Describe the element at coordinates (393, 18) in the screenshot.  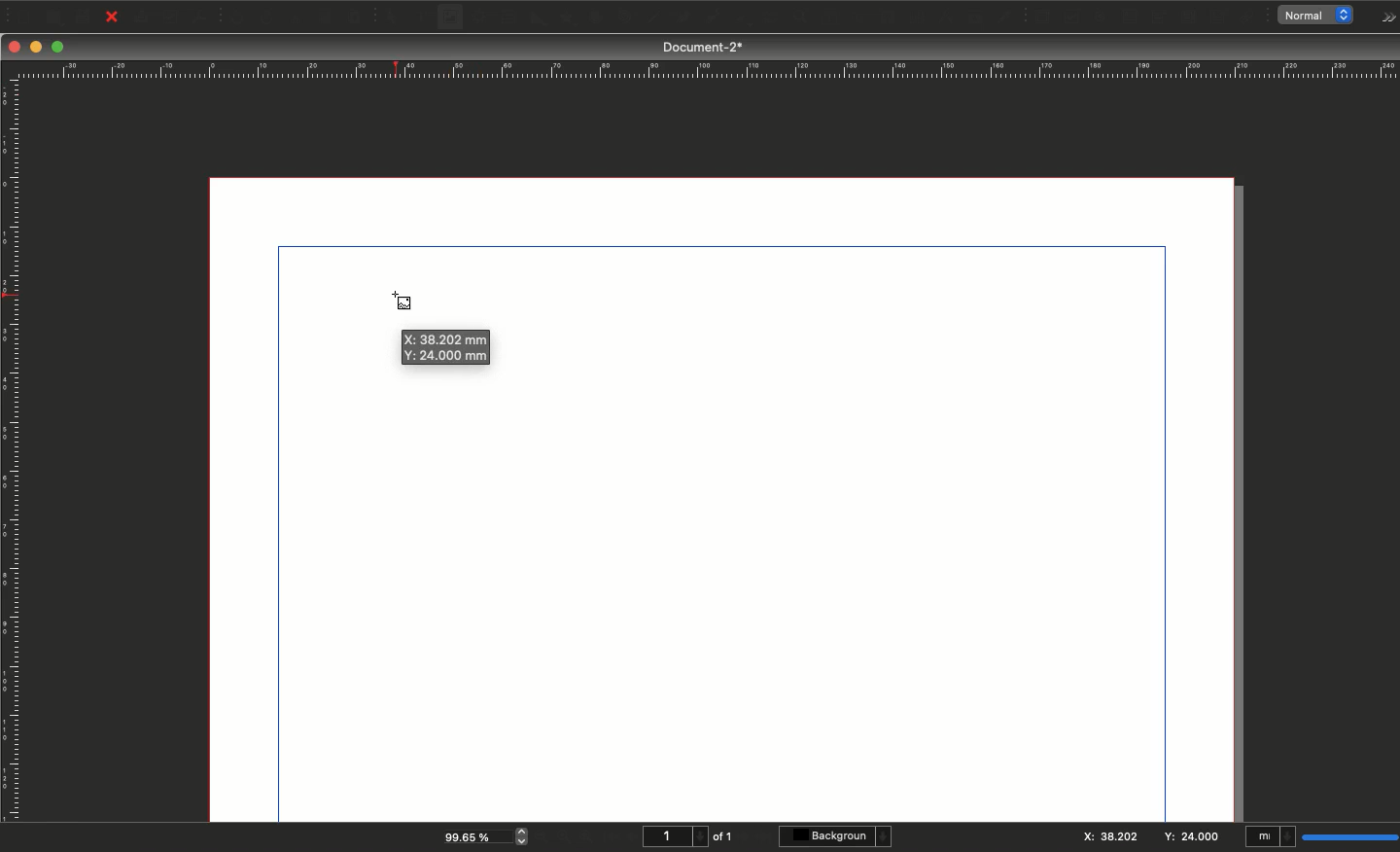
I see `Select item` at that location.